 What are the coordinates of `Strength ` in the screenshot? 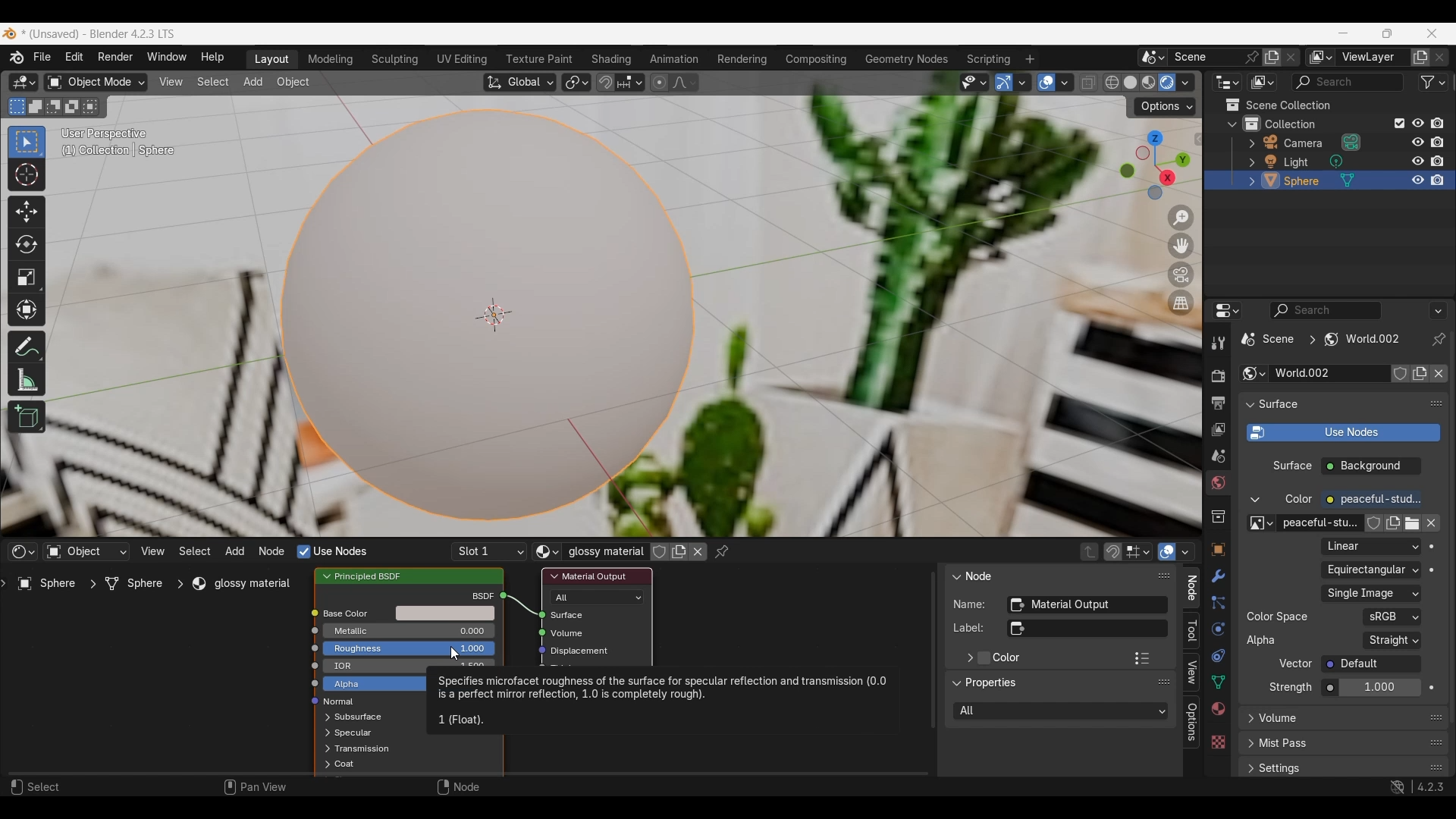 It's located at (1291, 687).